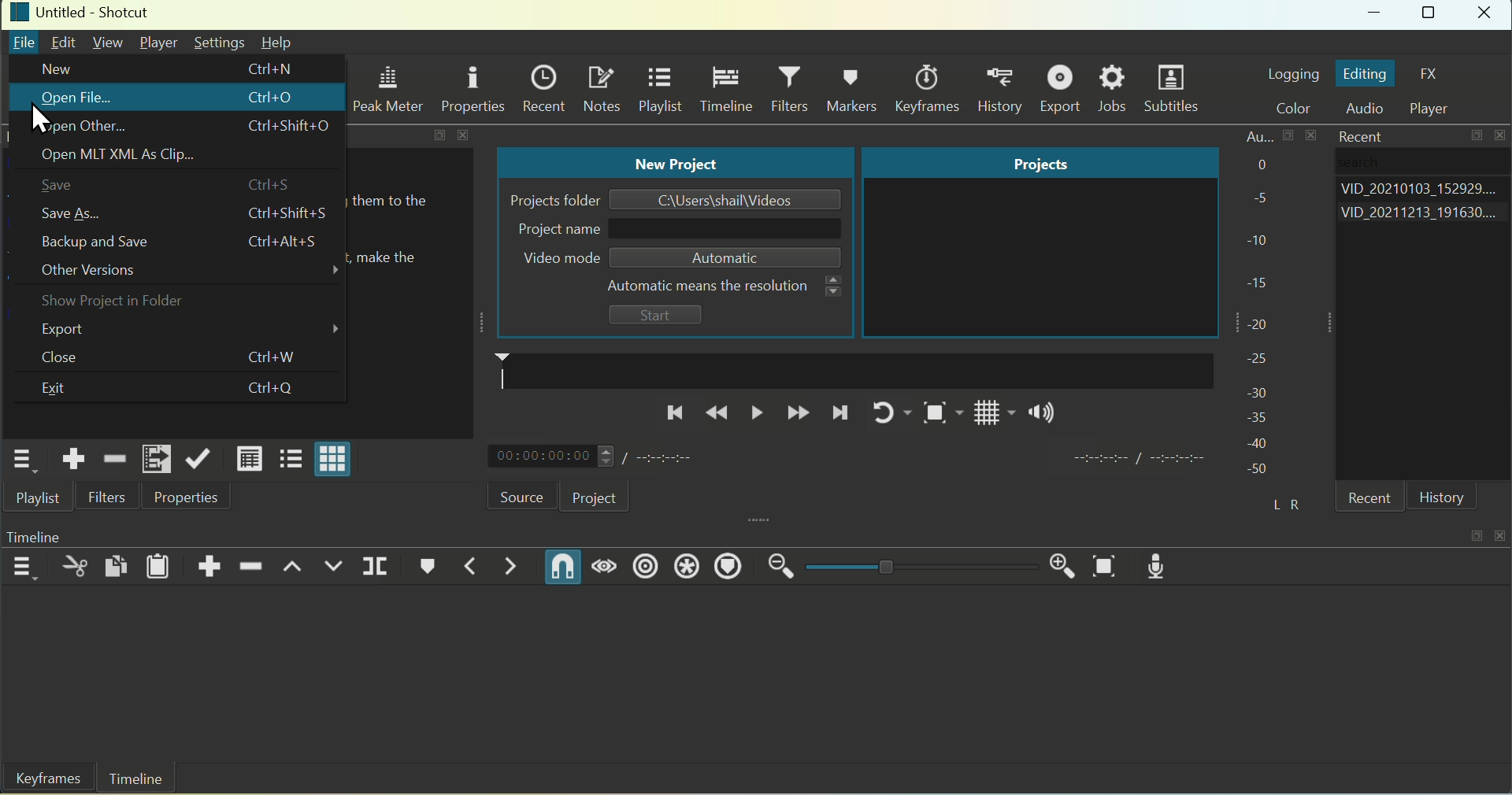  What do you see at coordinates (439, 135) in the screenshot?
I see `maximize` at bounding box center [439, 135].